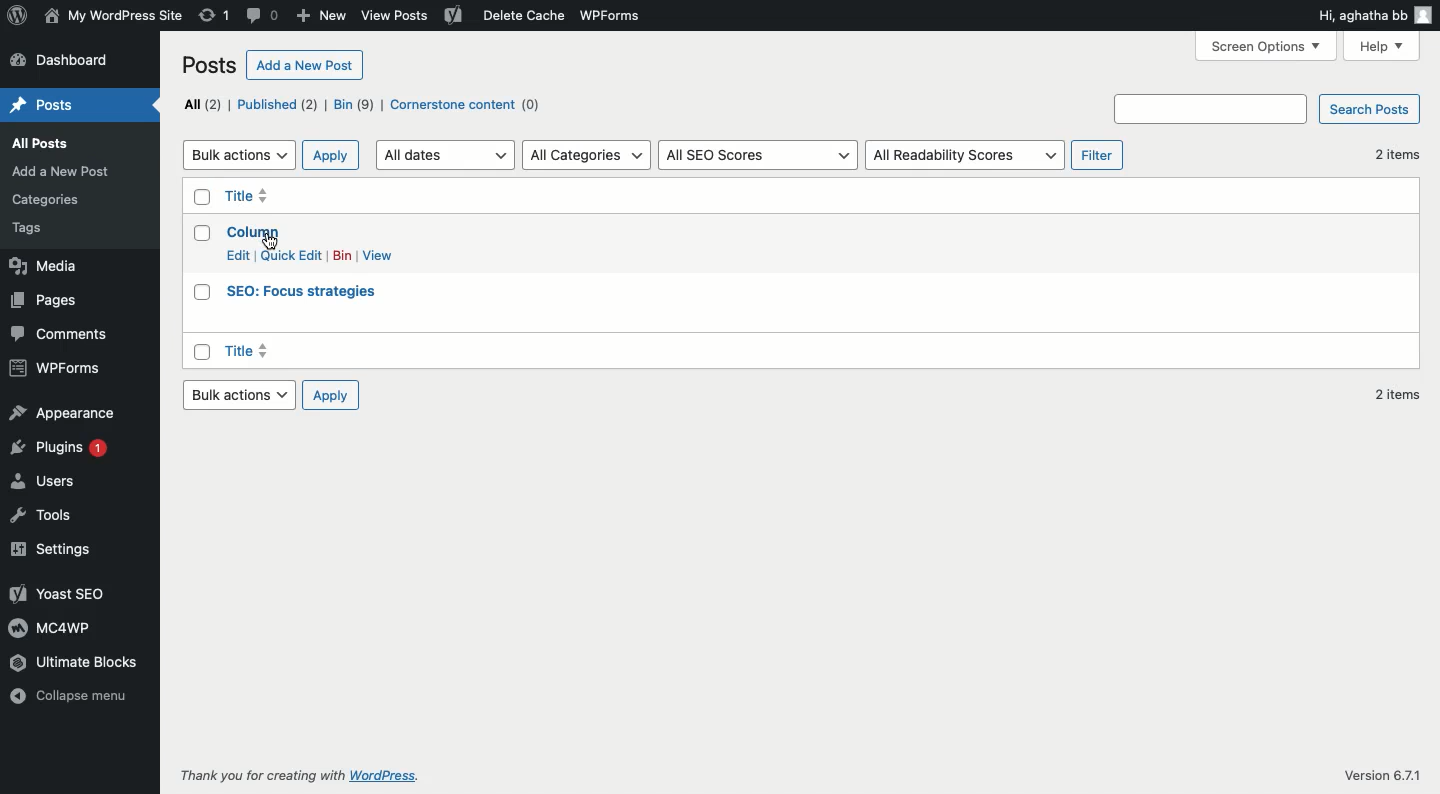  What do you see at coordinates (303, 64) in the screenshot?
I see `Add a new post` at bounding box center [303, 64].